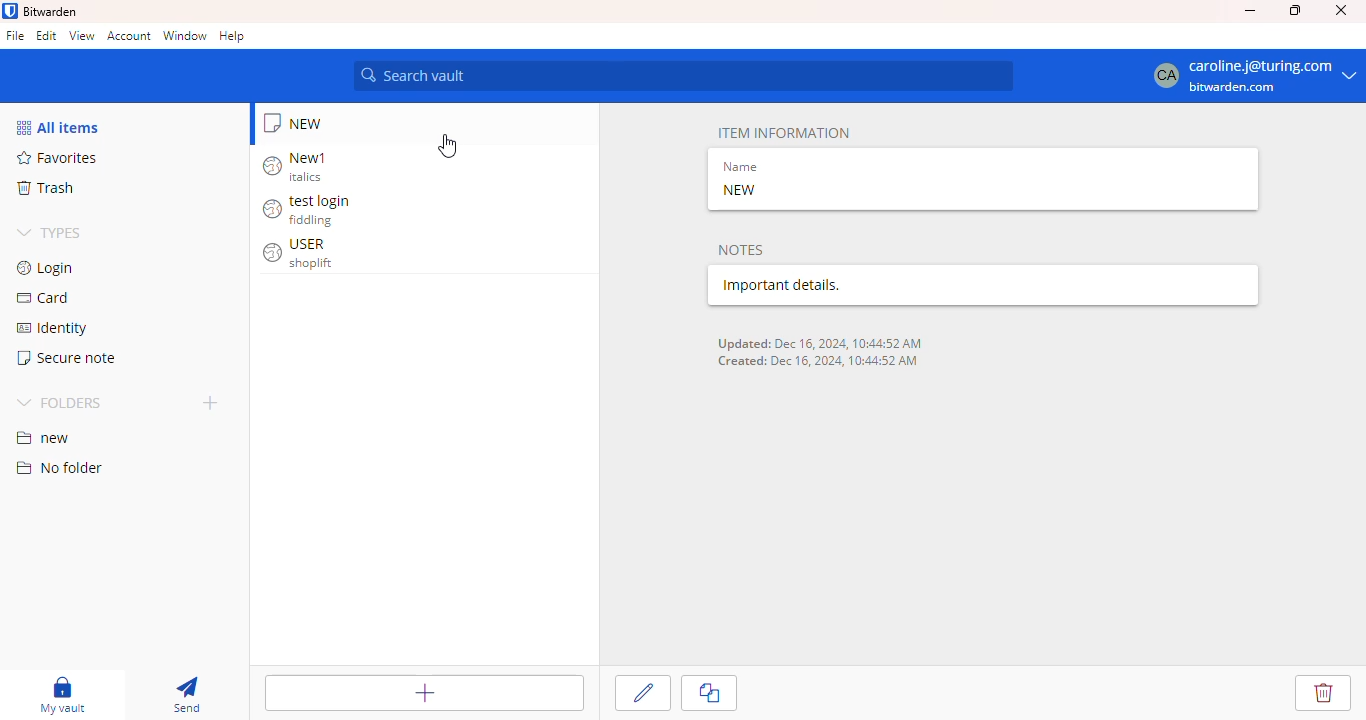 The width and height of the screenshot is (1366, 720). I want to click on account, so click(130, 35).